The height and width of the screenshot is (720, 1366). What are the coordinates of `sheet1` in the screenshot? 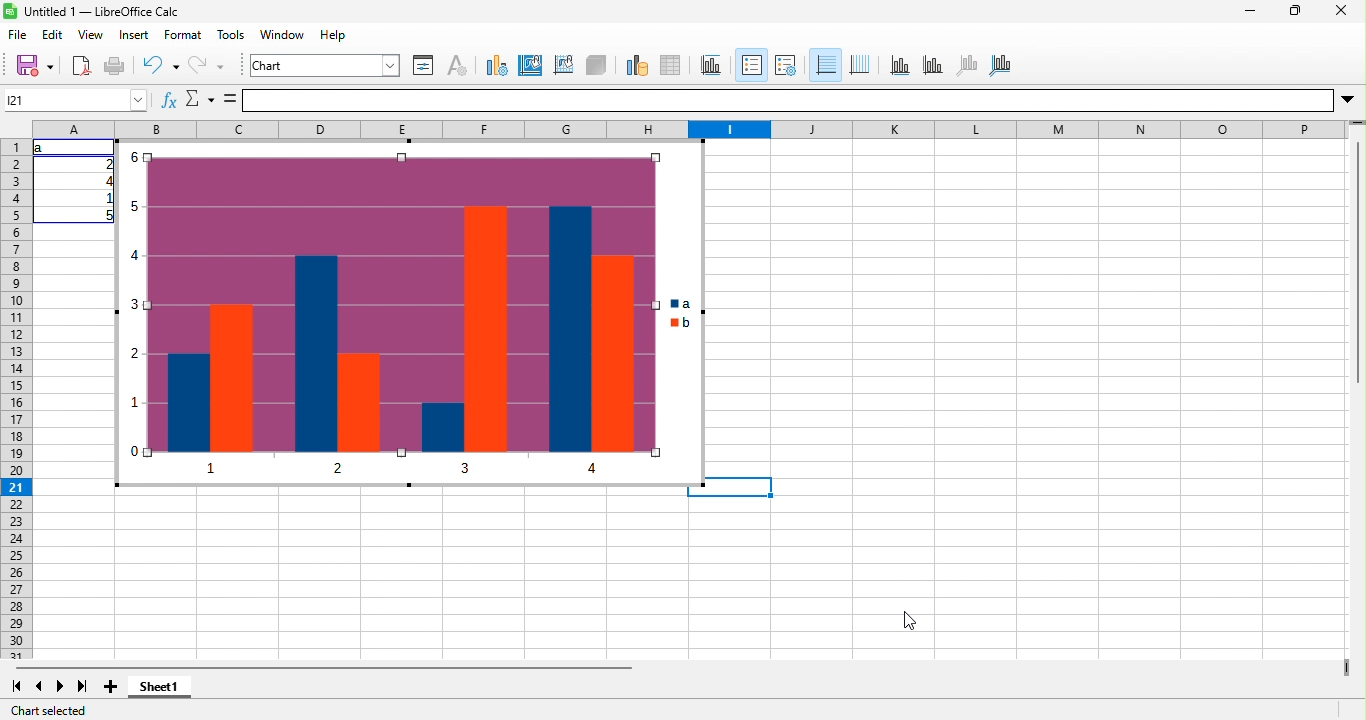 It's located at (159, 686).